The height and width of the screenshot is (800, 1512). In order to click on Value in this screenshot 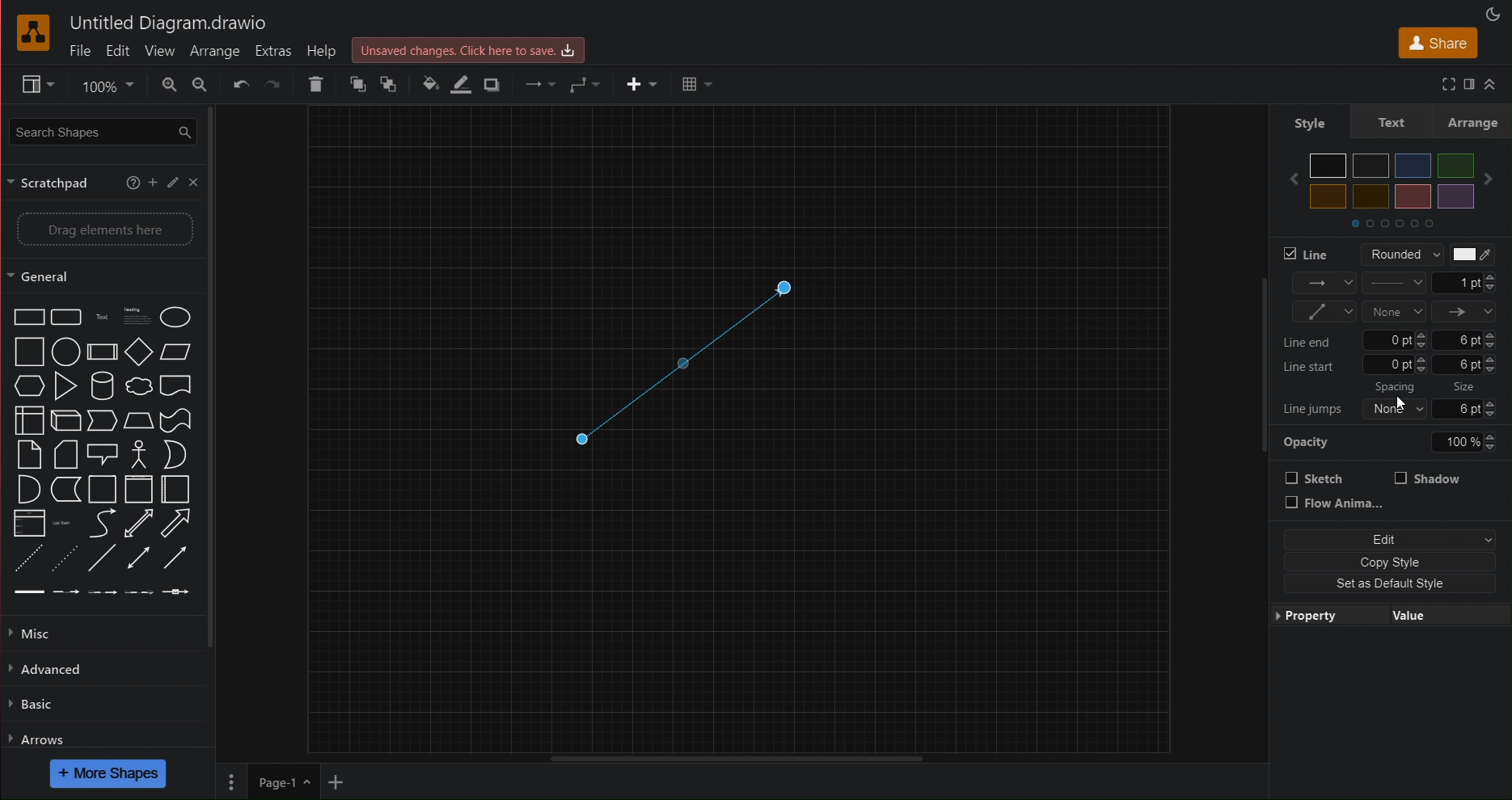, I will do `click(1416, 613)`.